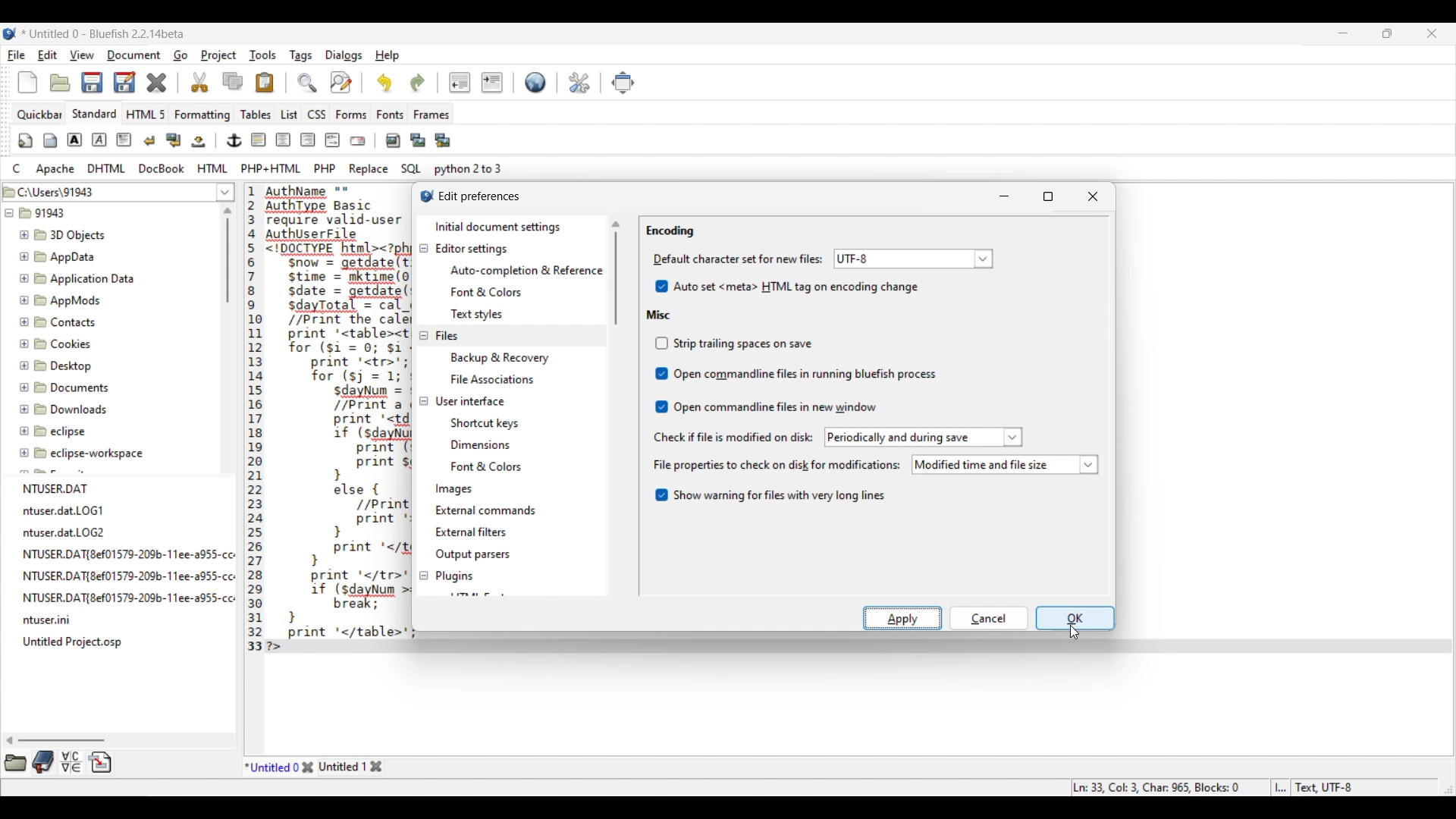 The height and width of the screenshot is (819, 1456). What do you see at coordinates (670, 231) in the screenshot?
I see `Encoding section` at bounding box center [670, 231].